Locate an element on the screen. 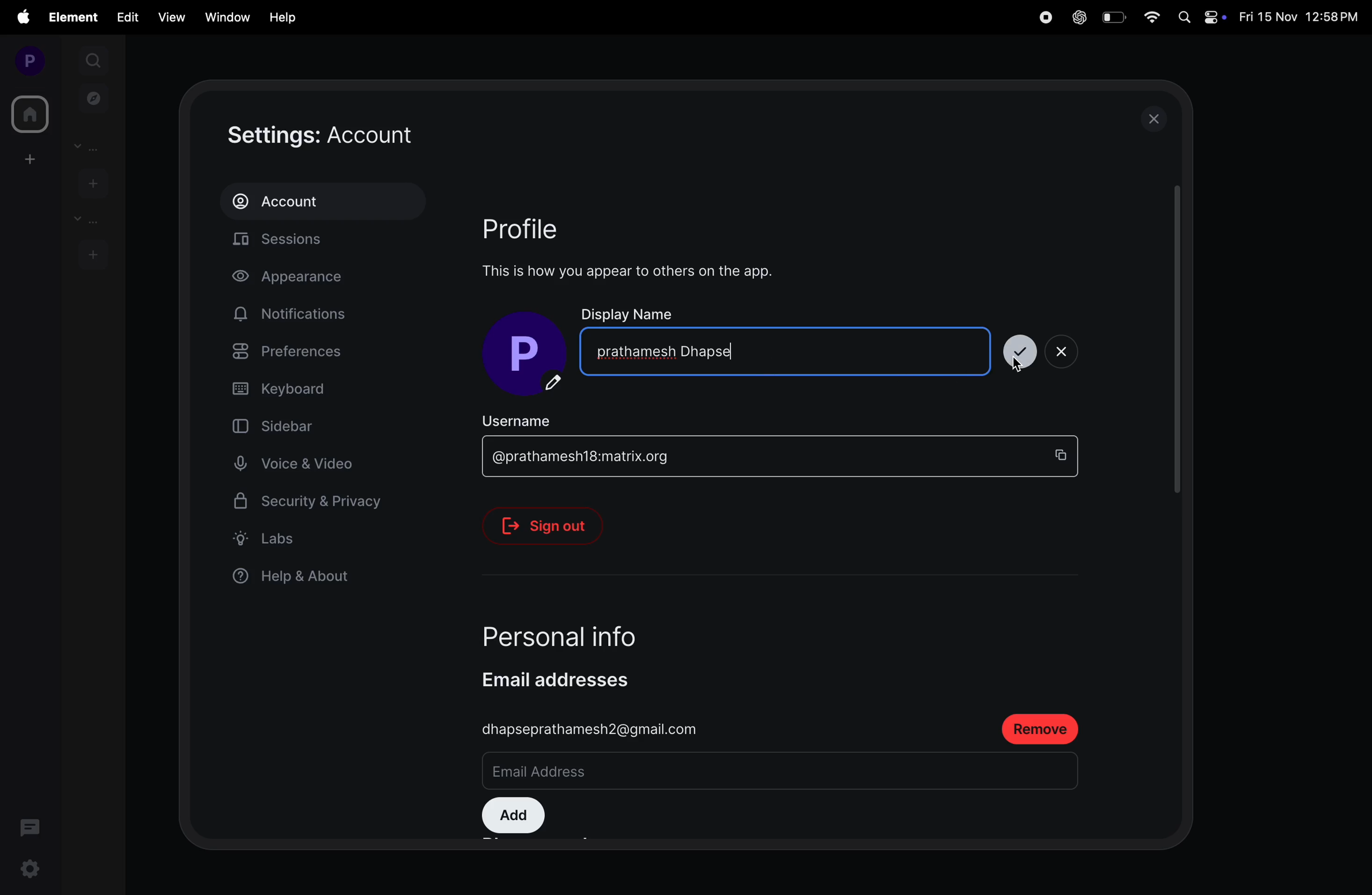 The height and width of the screenshot is (895, 1372). element is located at coordinates (75, 17).